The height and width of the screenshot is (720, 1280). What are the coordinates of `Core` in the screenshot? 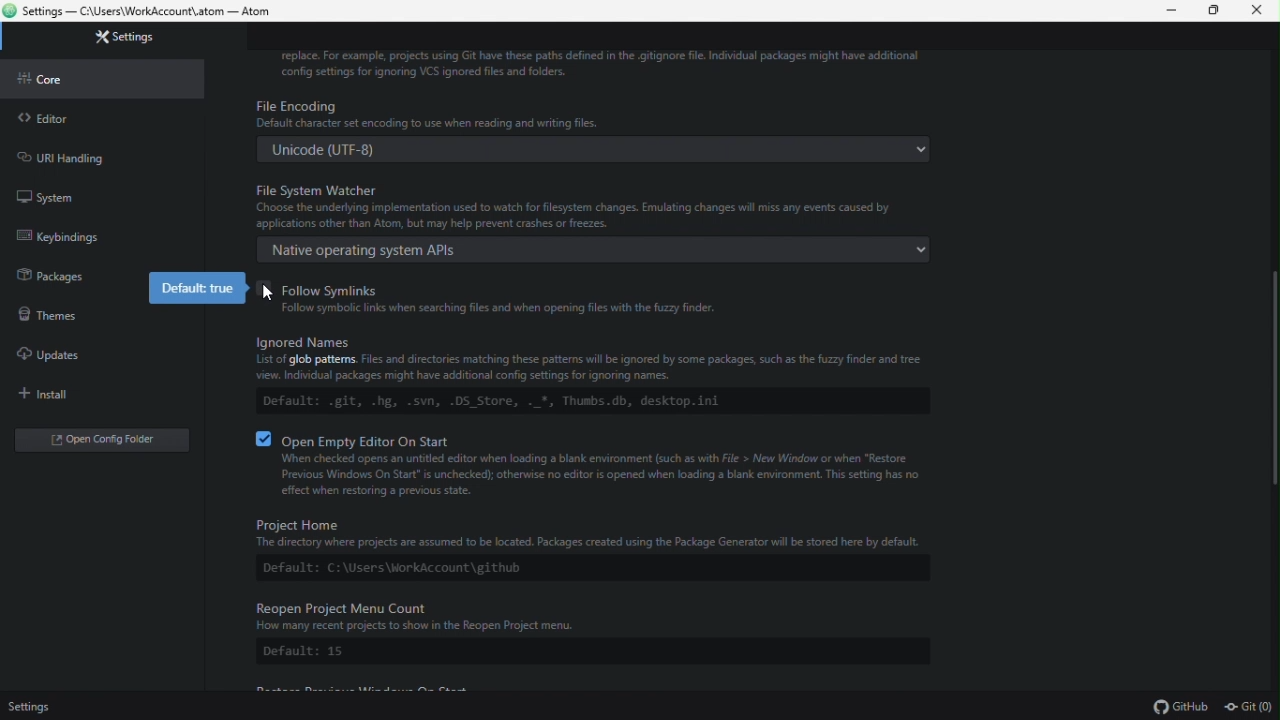 It's located at (103, 78).